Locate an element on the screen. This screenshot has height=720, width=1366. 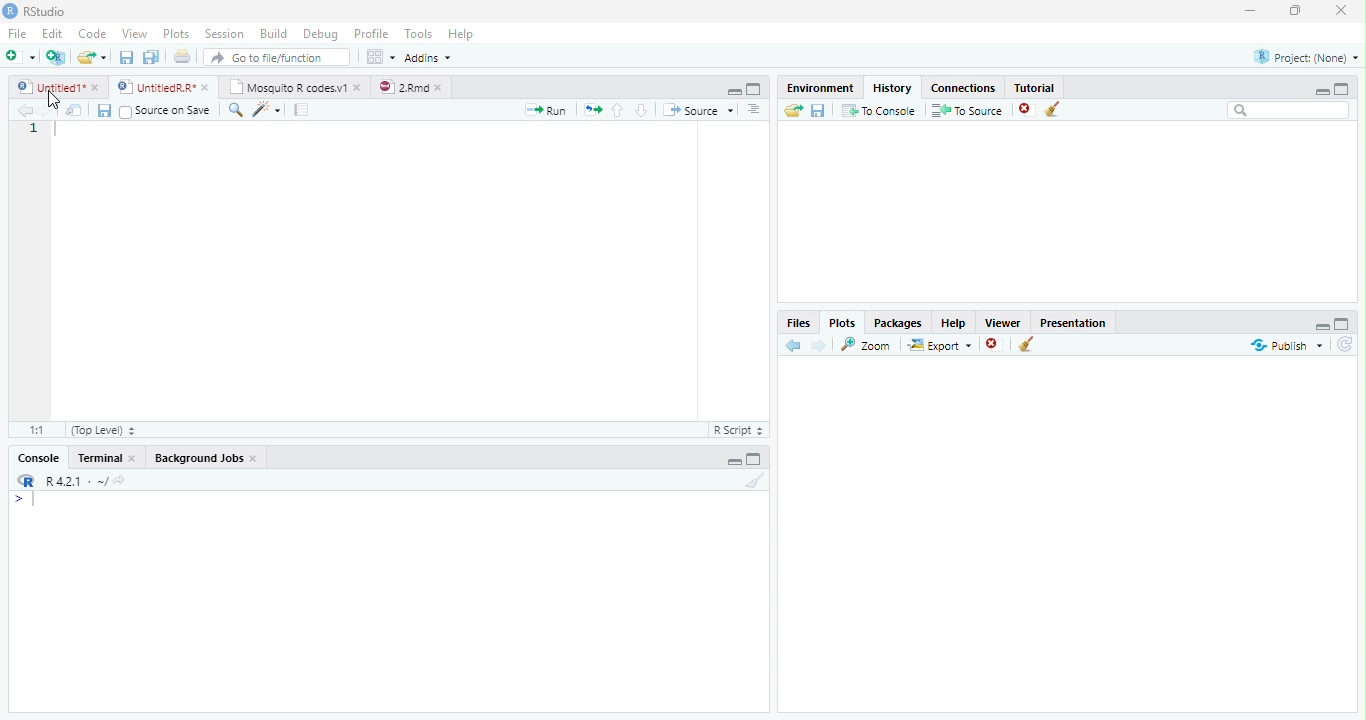
Console is located at coordinates (386, 601).